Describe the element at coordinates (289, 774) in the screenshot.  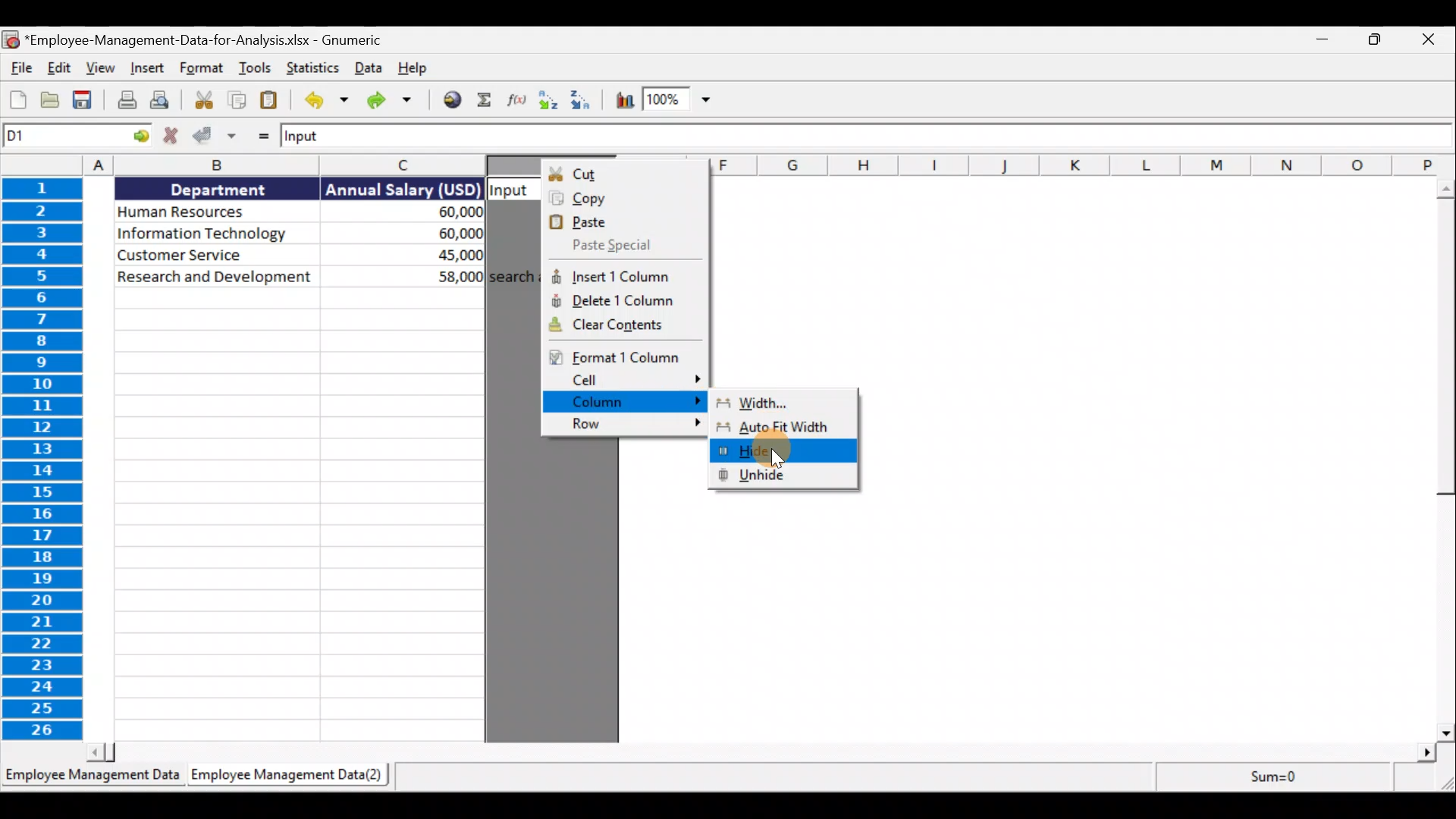
I see `Sheet 2` at that location.